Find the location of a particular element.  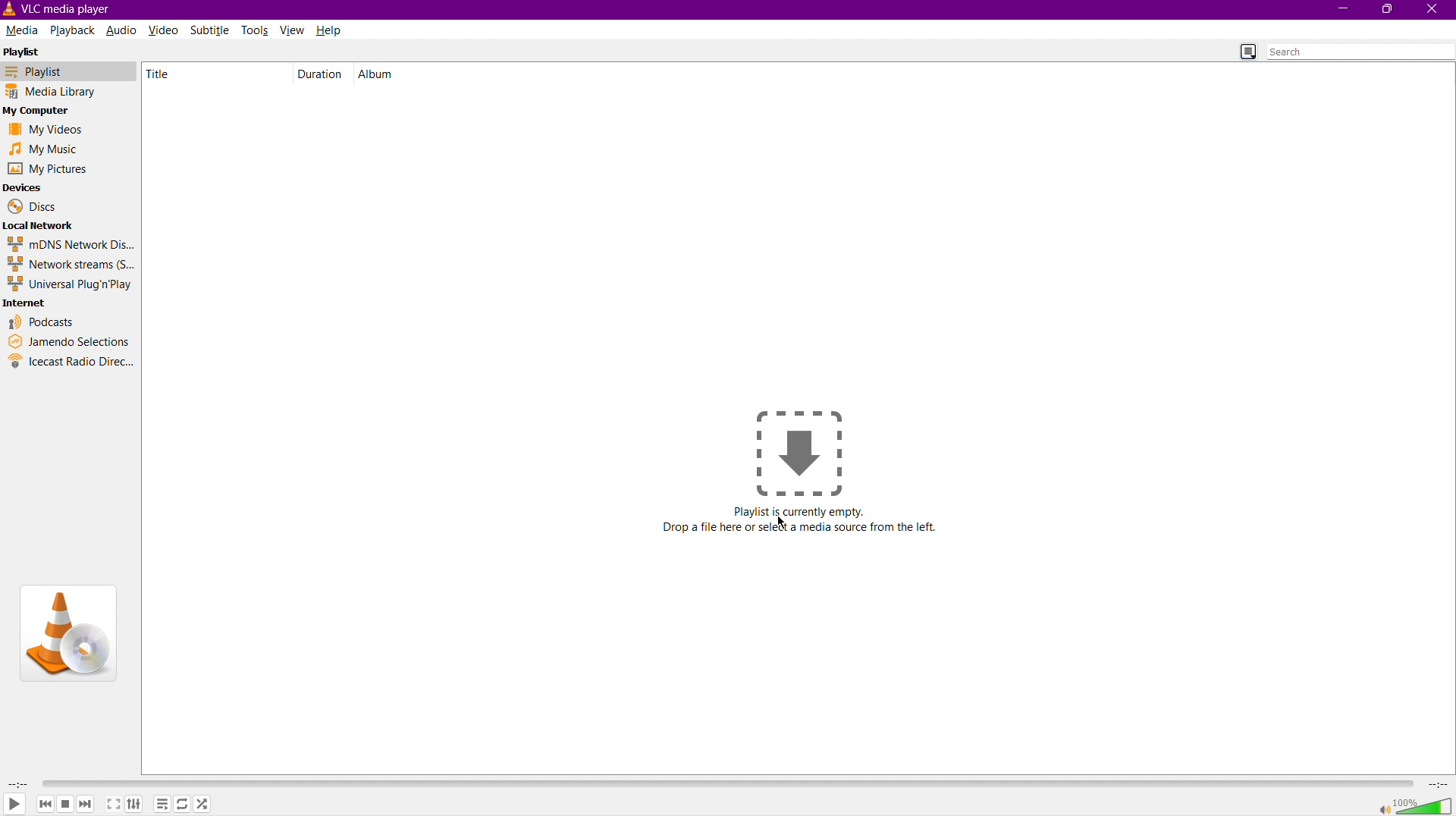

VLC Media Player is located at coordinates (58, 9).